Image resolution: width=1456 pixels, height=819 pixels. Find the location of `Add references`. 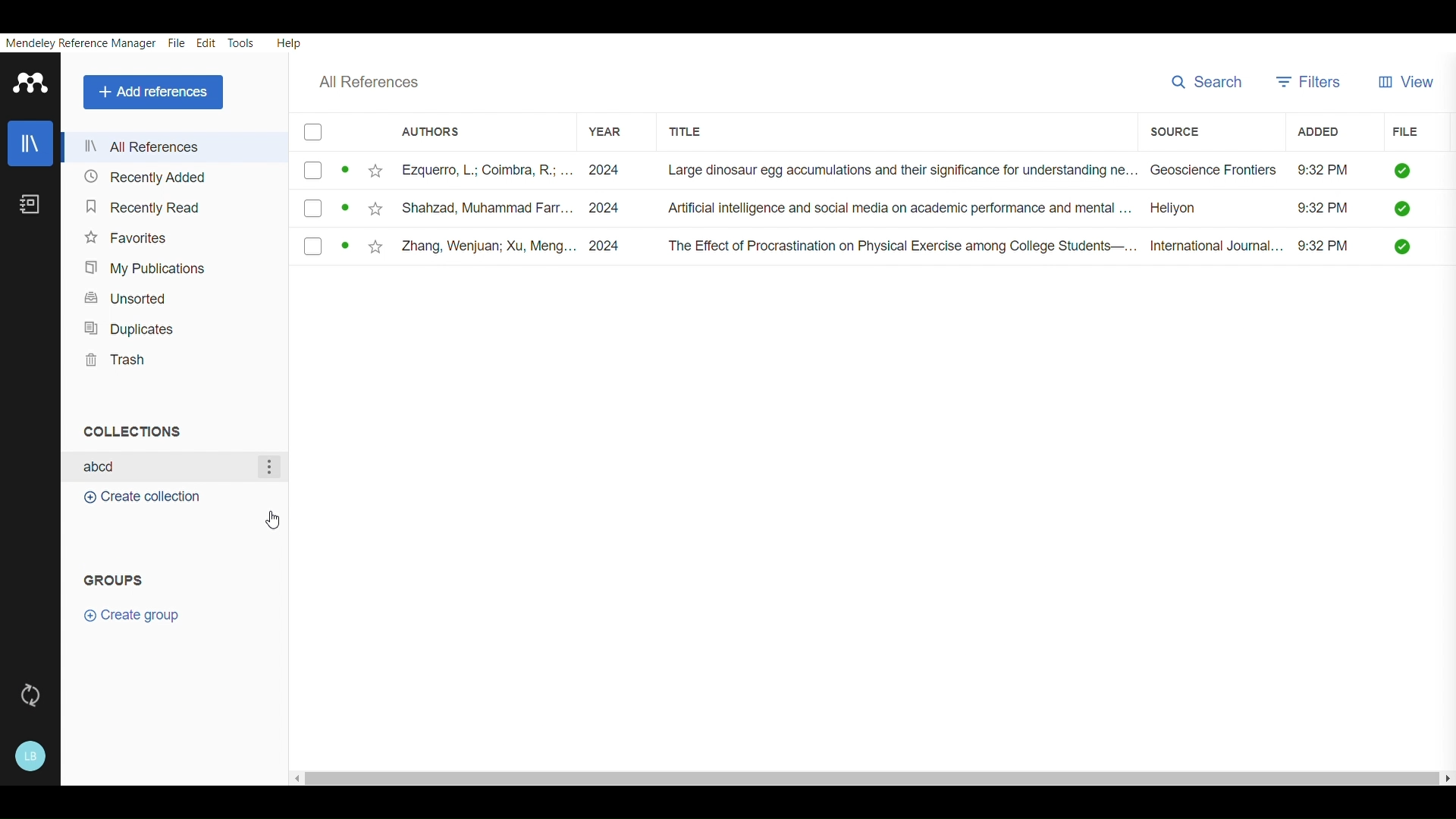

Add references is located at coordinates (151, 90).